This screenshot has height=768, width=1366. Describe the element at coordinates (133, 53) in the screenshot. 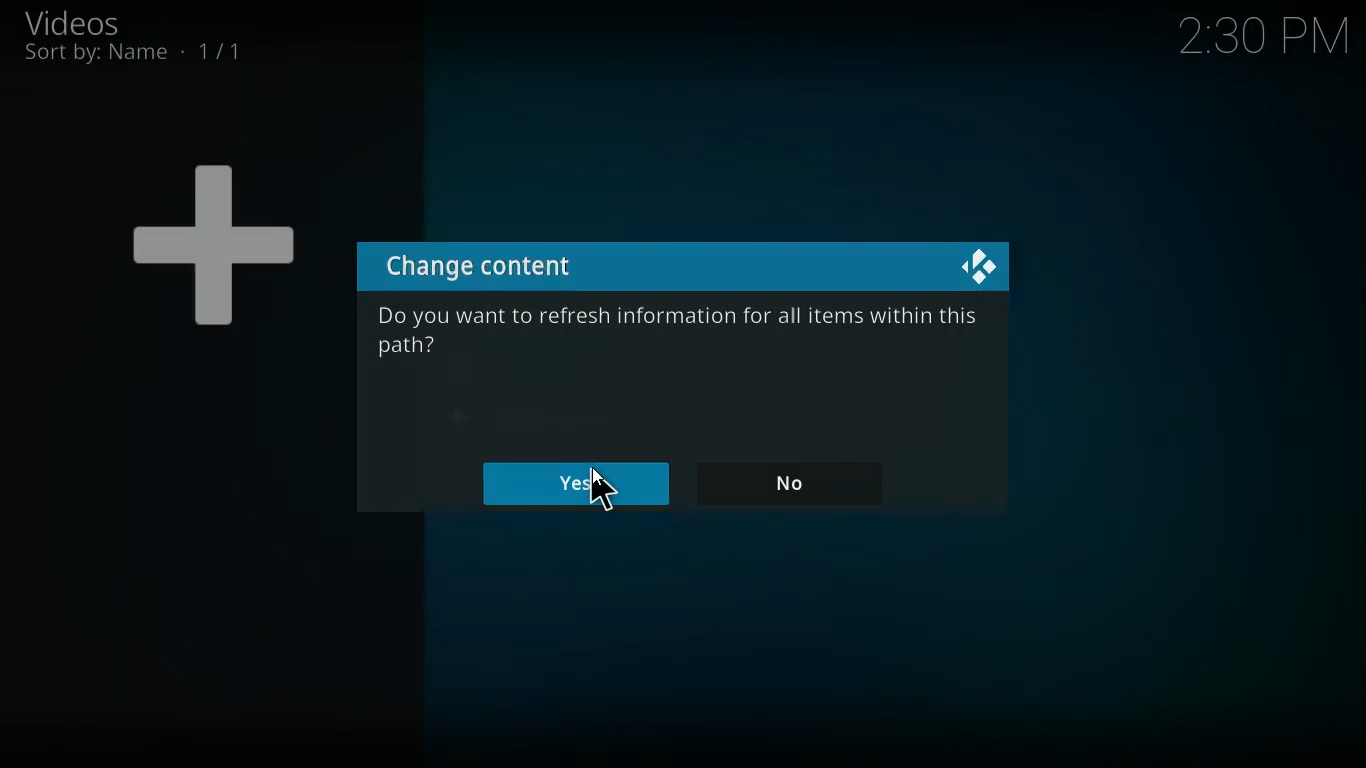

I see `sort by name 1/1` at that location.